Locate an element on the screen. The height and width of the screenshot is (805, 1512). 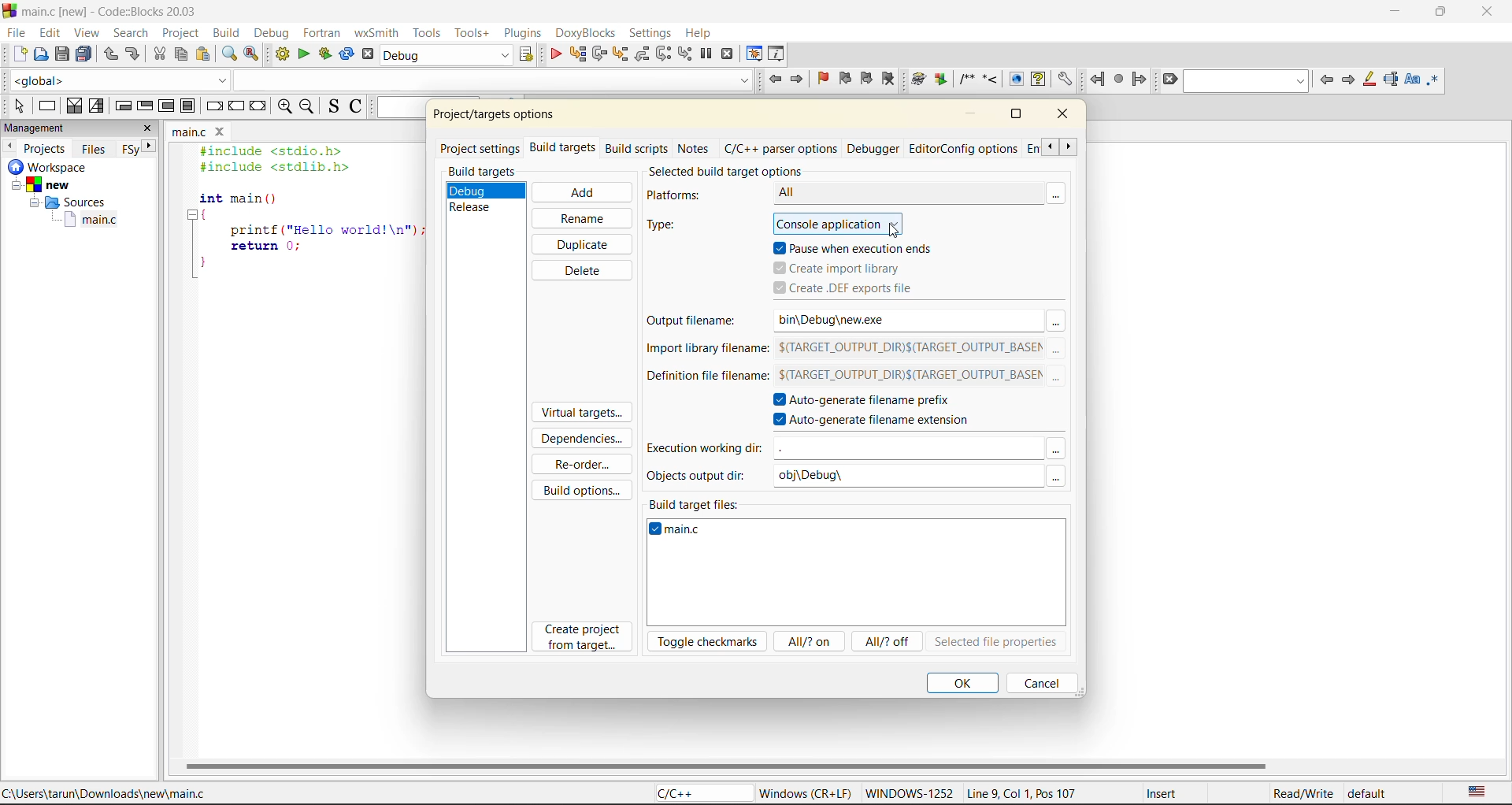
selected build target options is located at coordinates (729, 170).